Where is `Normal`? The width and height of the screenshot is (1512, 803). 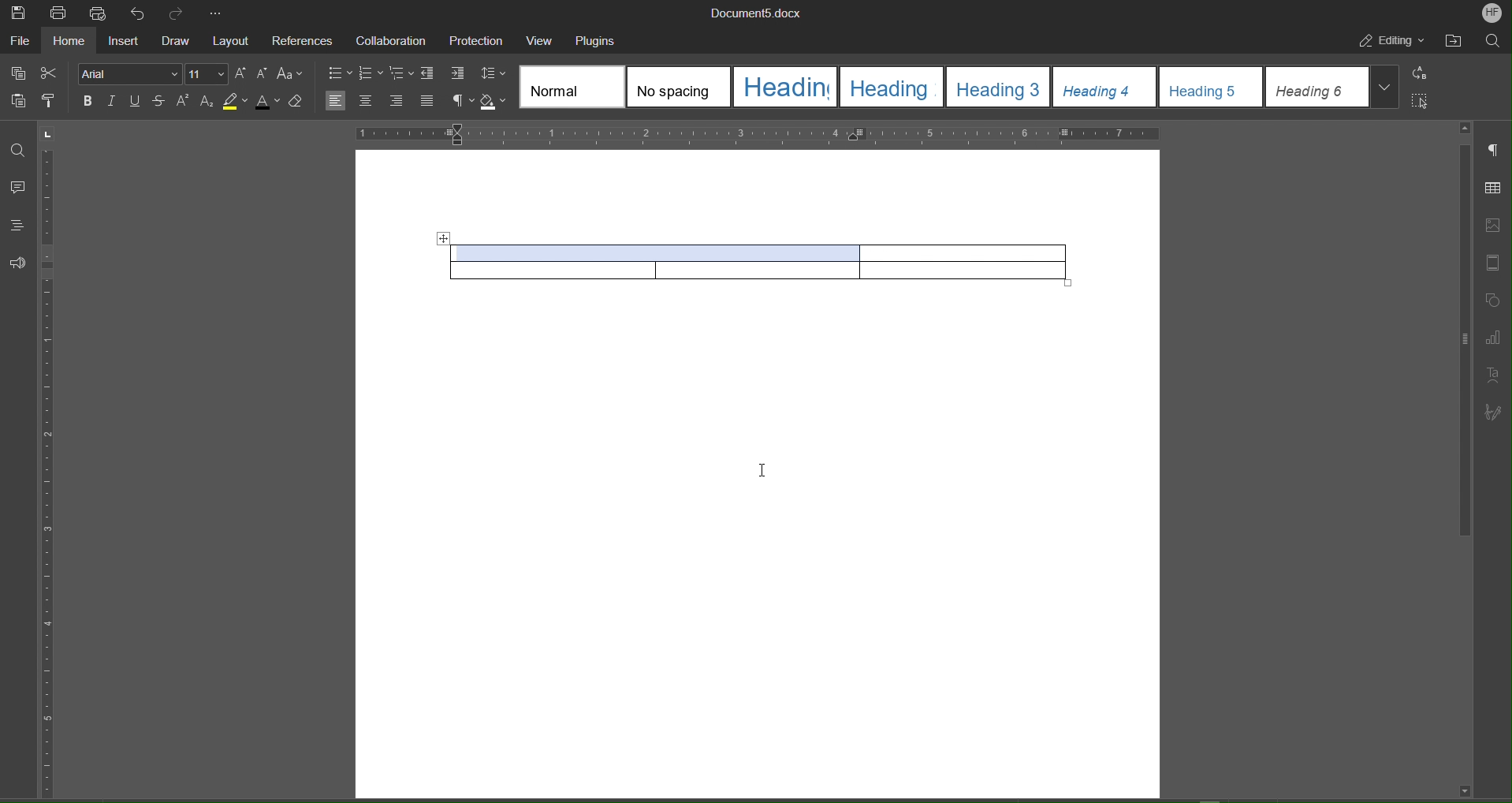 Normal is located at coordinates (572, 87).